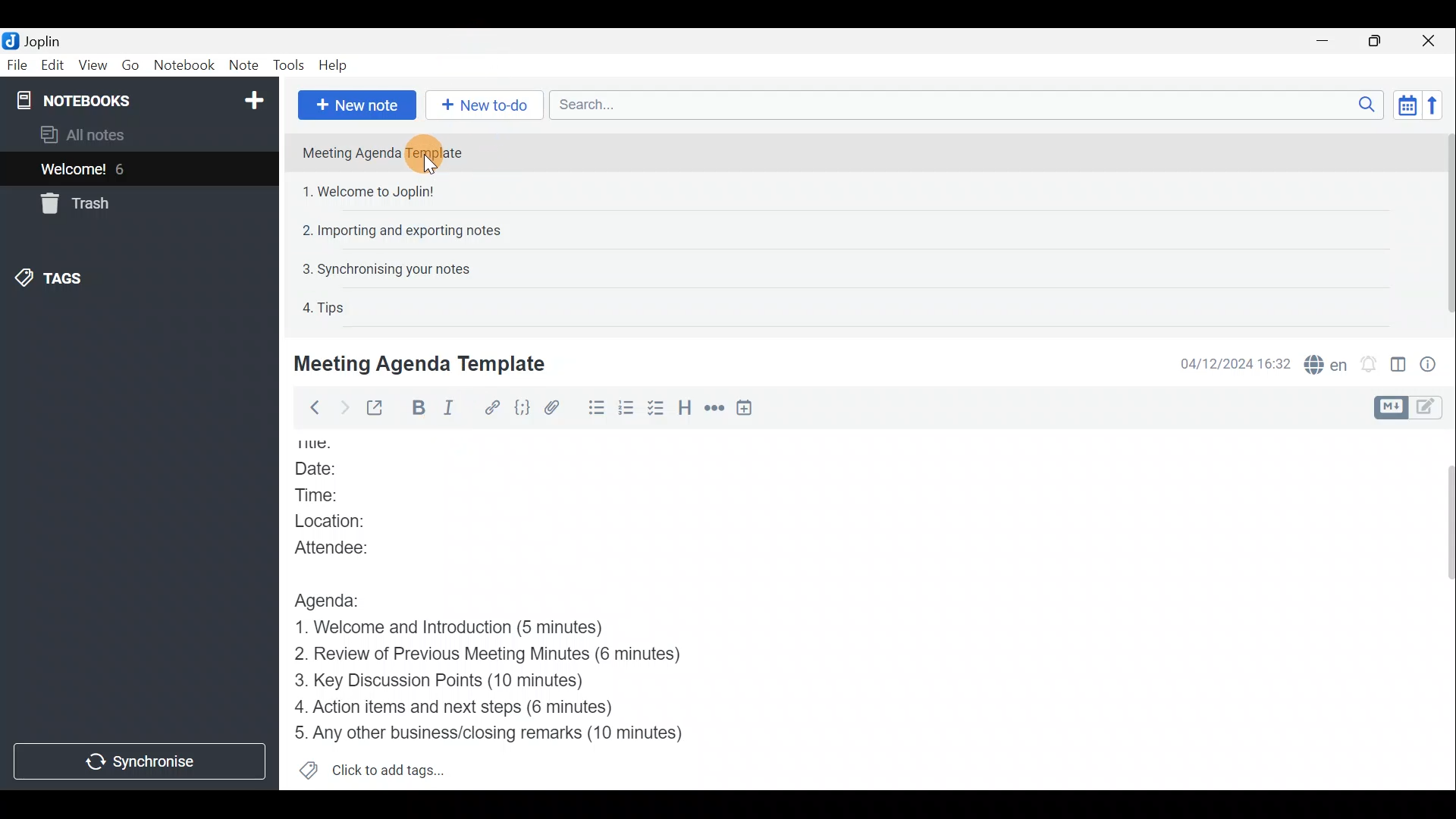  Describe the element at coordinates (53, 67) in the screenshot. I see `Edit` at that location.